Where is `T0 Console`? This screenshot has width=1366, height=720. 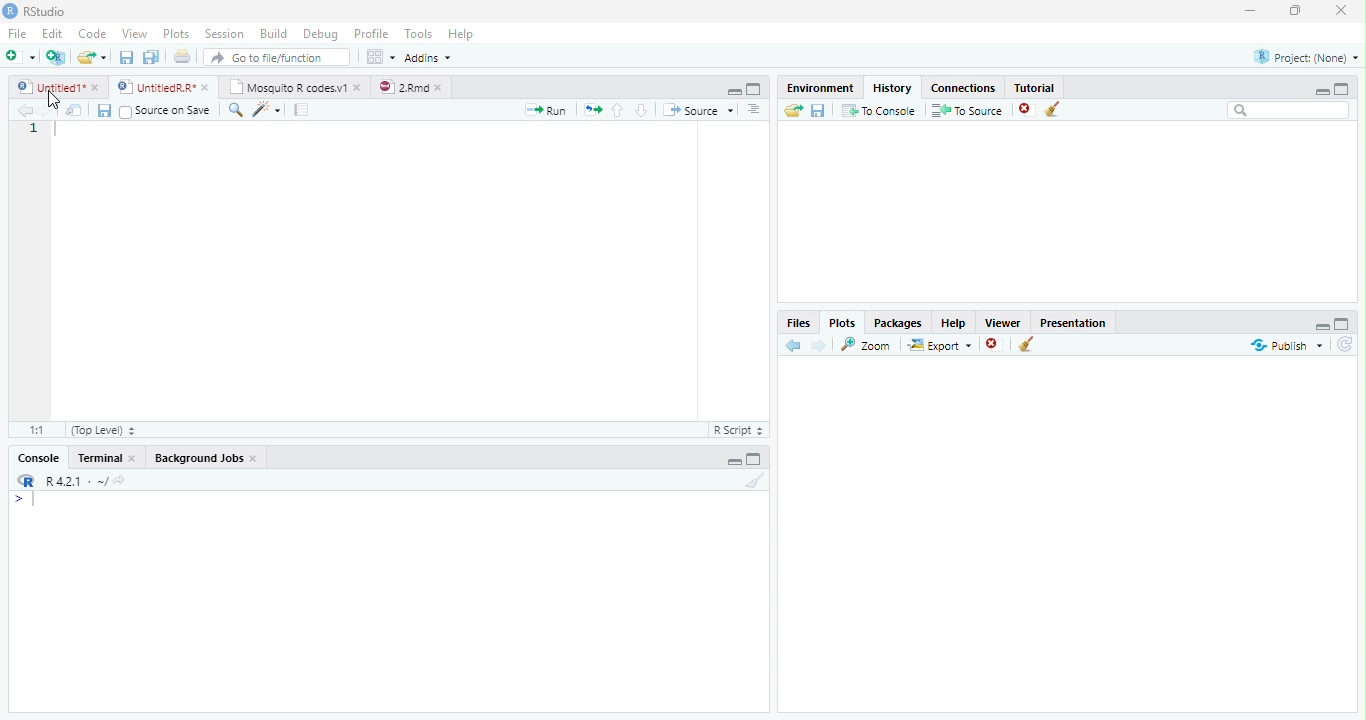
T0 Console is located at coordinates (878, 109).